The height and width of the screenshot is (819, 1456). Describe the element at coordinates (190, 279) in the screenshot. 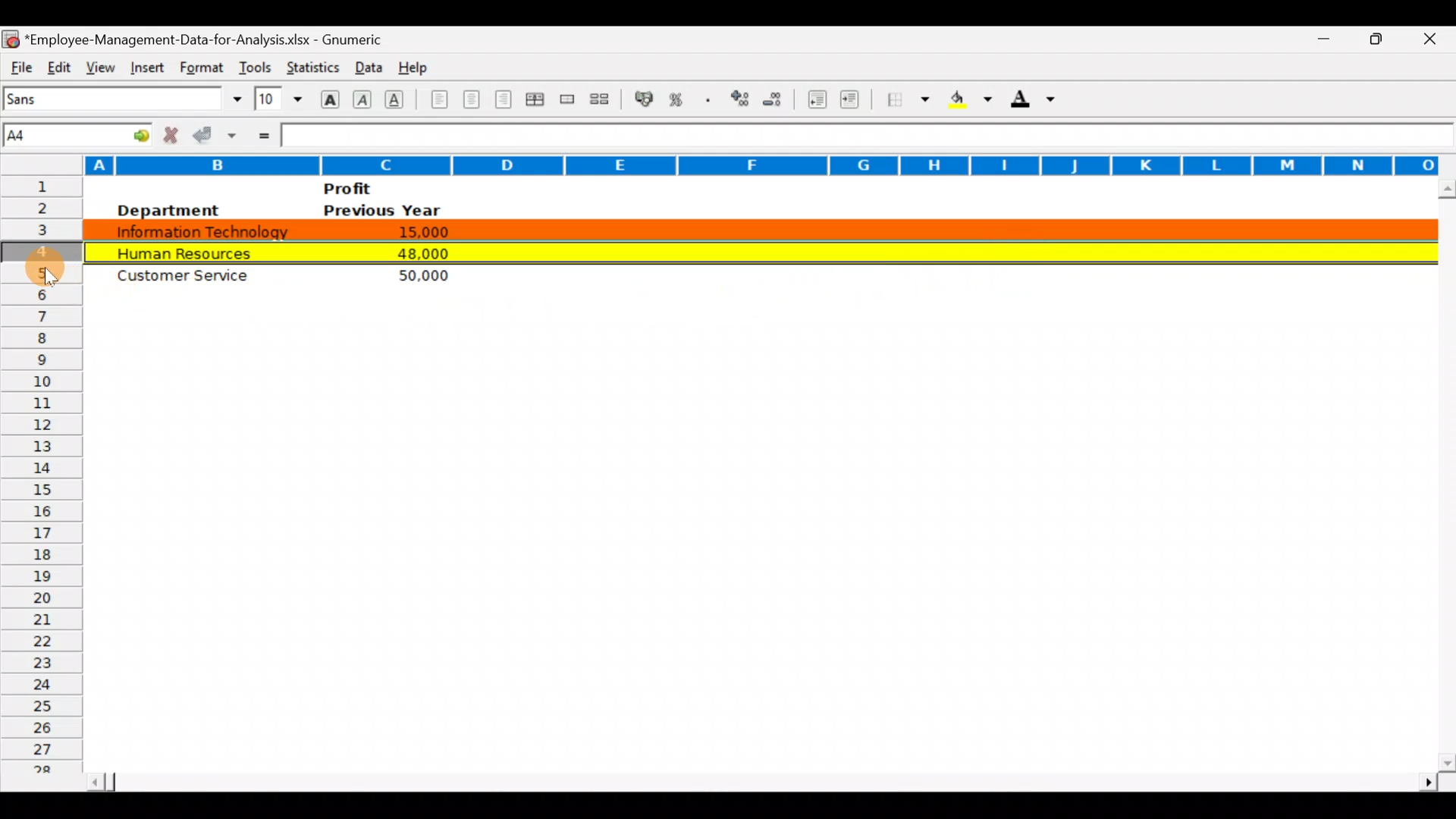

I see `Customer service` at that location.